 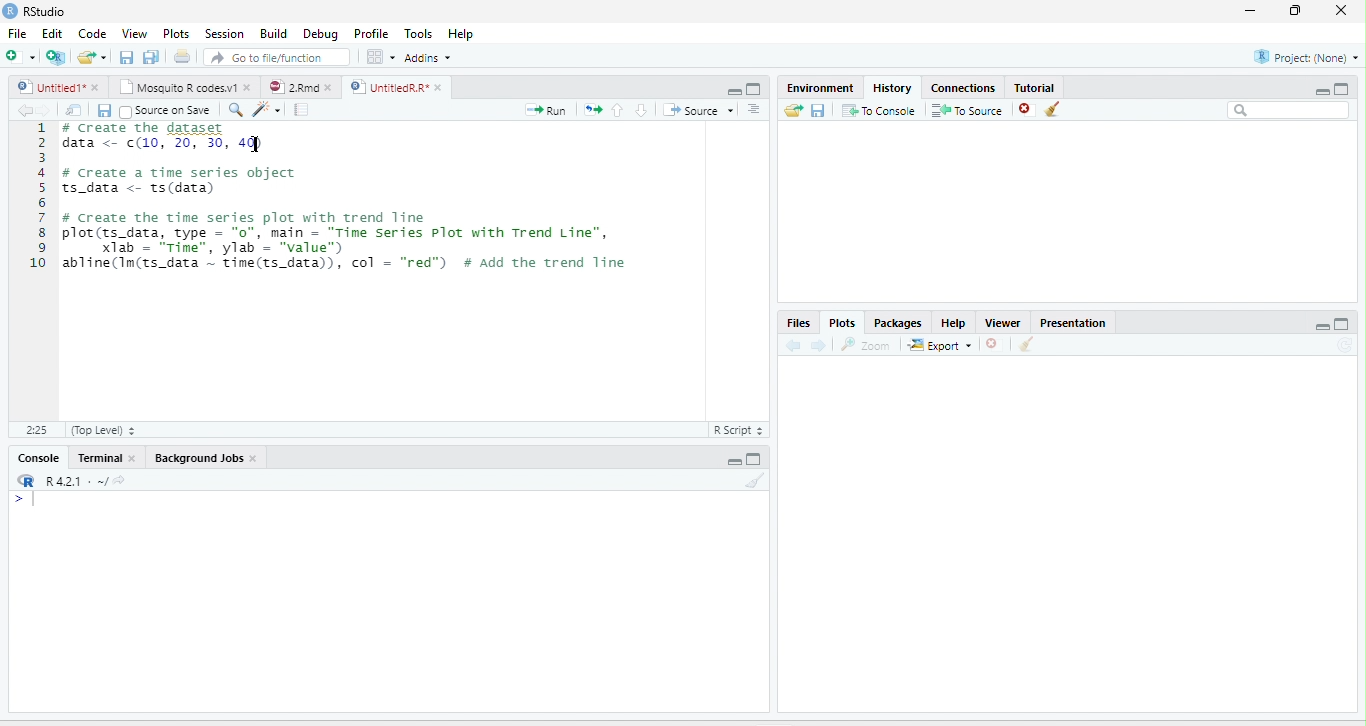 What do you see at coordinates (1346, 345) in the screenshot?
I see `Refresh current plot` at bounding box center [1346, 345].